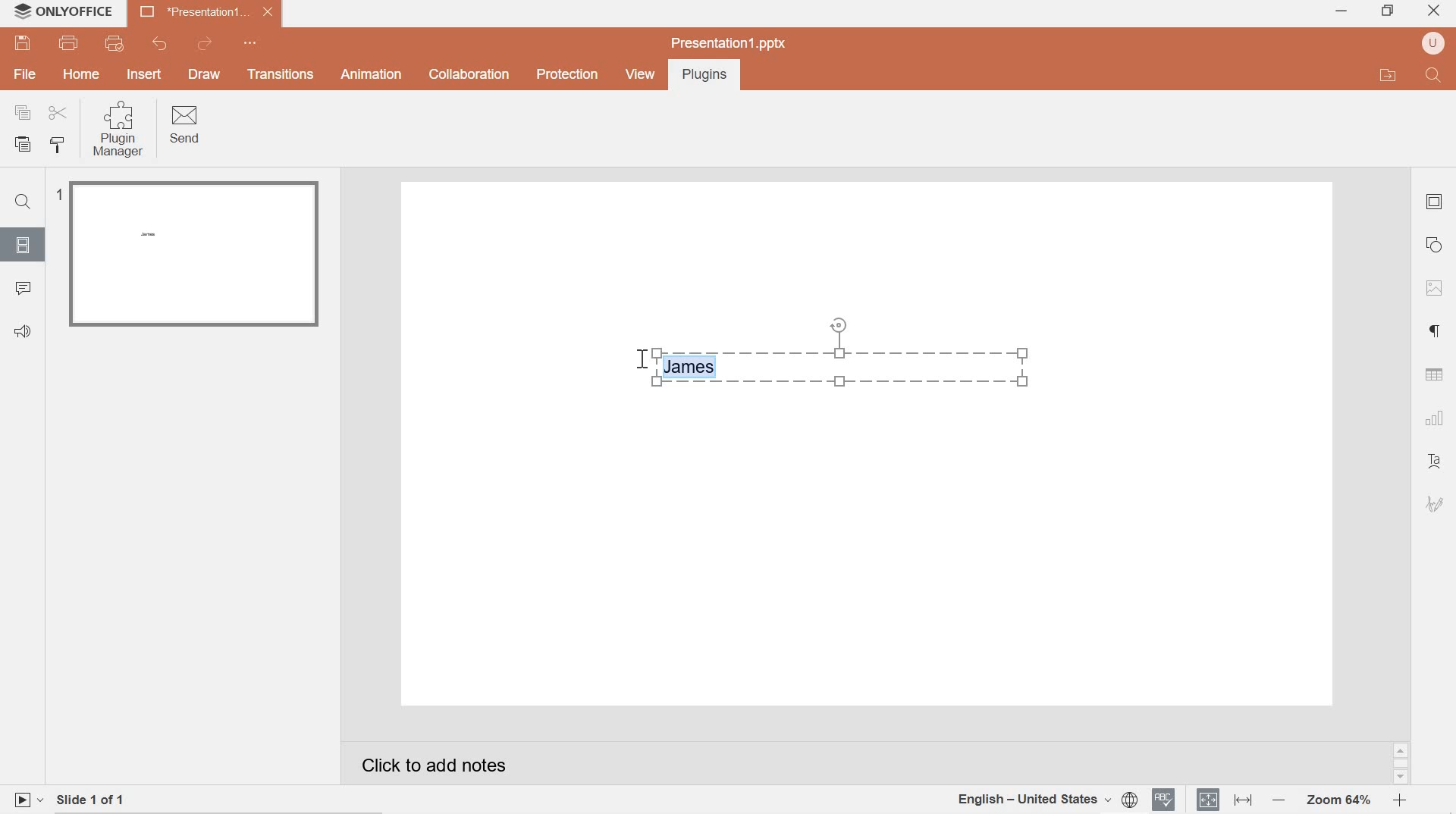  Describe the element at coordinates (157, 44) in the screenshot. I see `undo` at that location.